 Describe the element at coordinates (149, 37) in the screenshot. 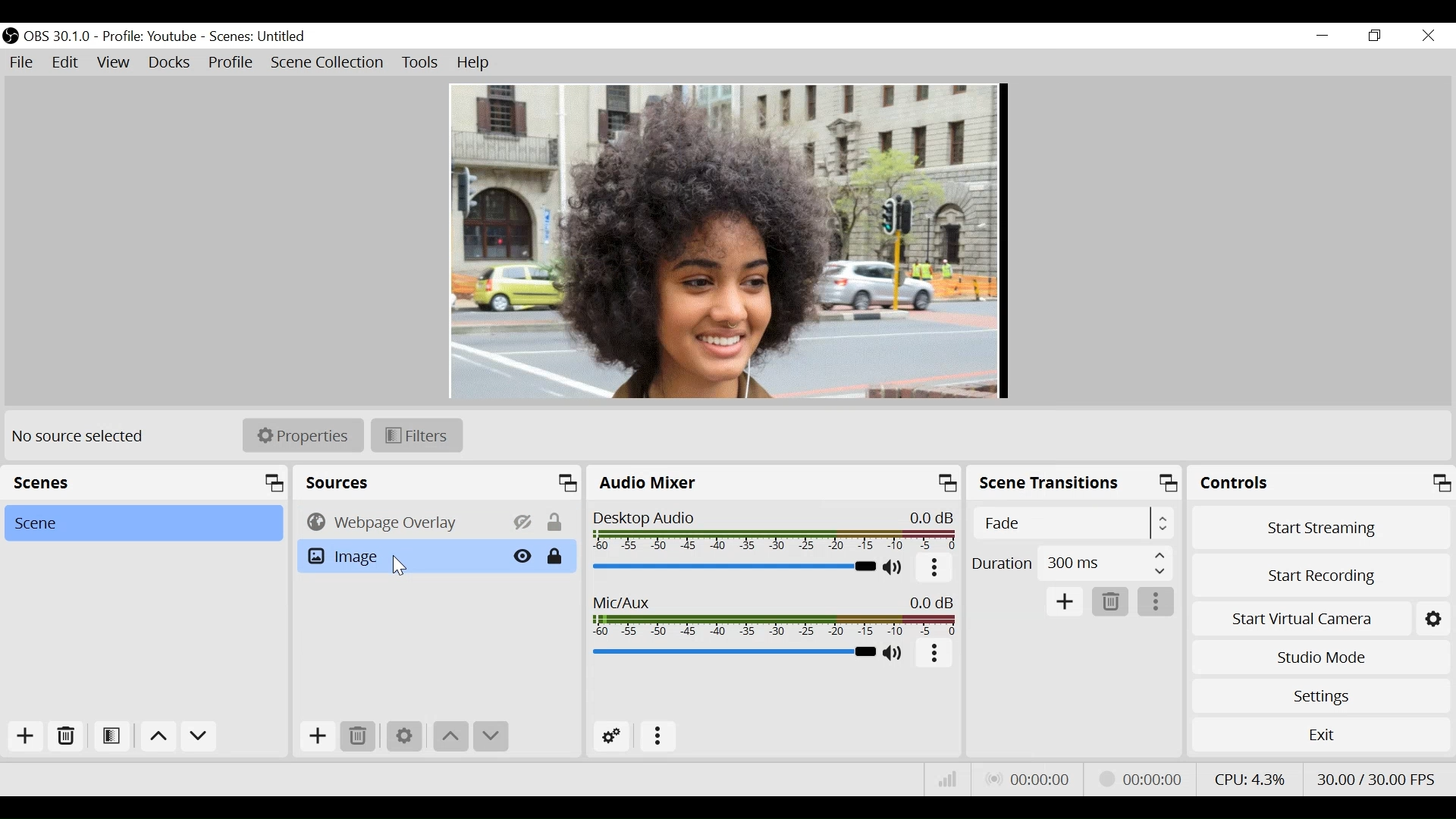

I see `Profile` at that location.